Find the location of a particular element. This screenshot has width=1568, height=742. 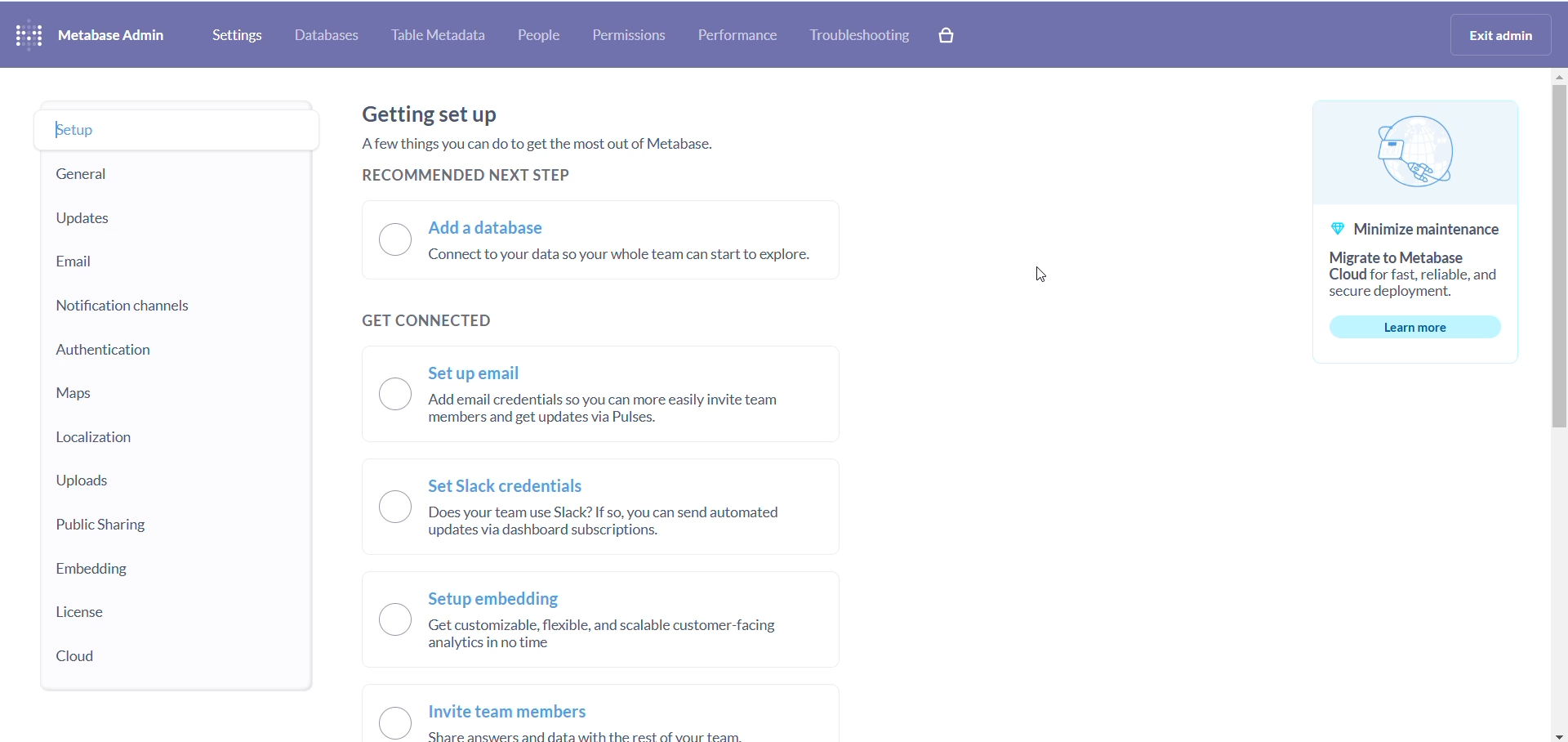

setup embedding radio button is located at coordinates (385, 624).